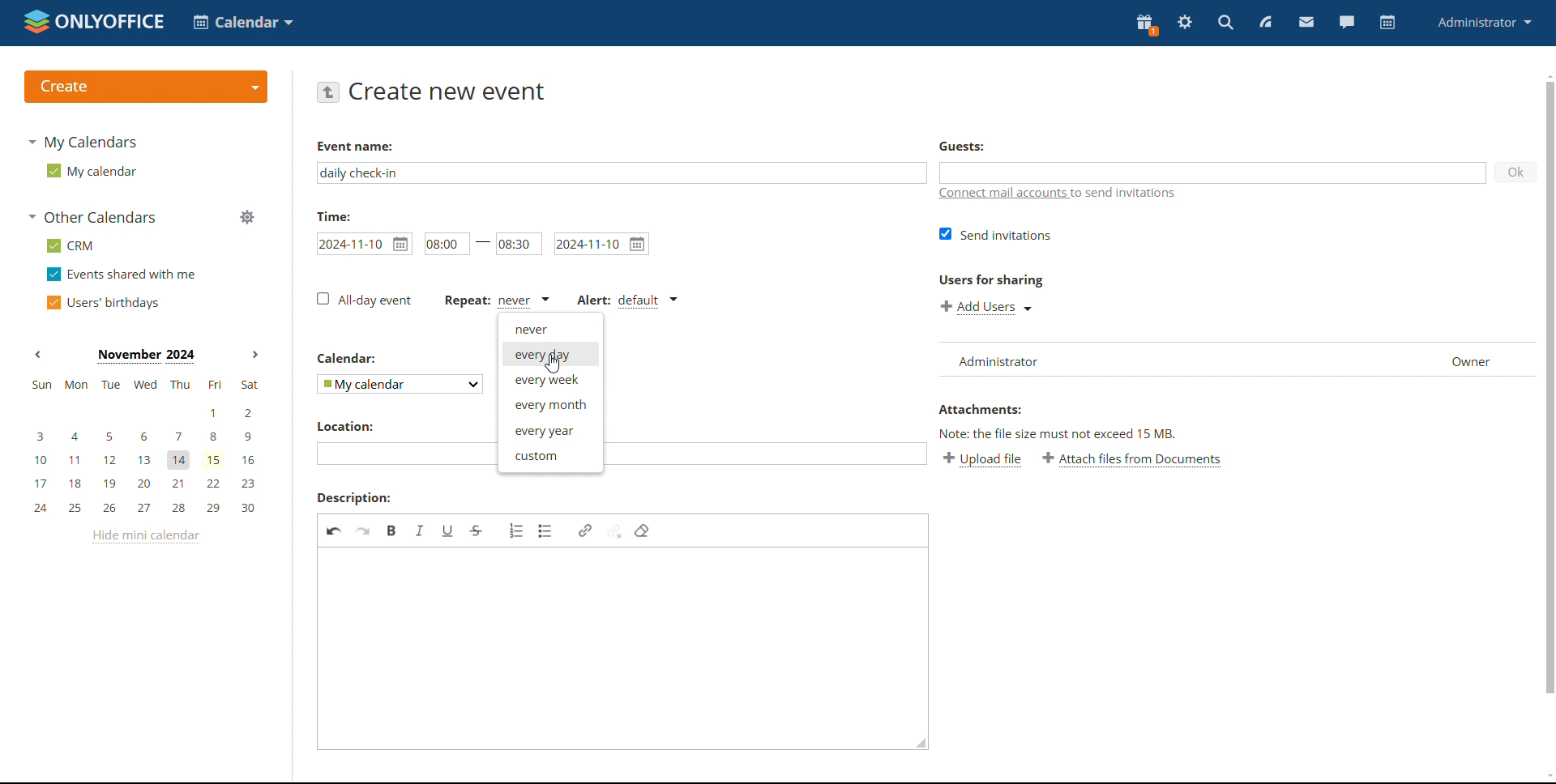 The height and width of the screenshot is (784, 1556). I want to click on settings, so click(1186, 23).